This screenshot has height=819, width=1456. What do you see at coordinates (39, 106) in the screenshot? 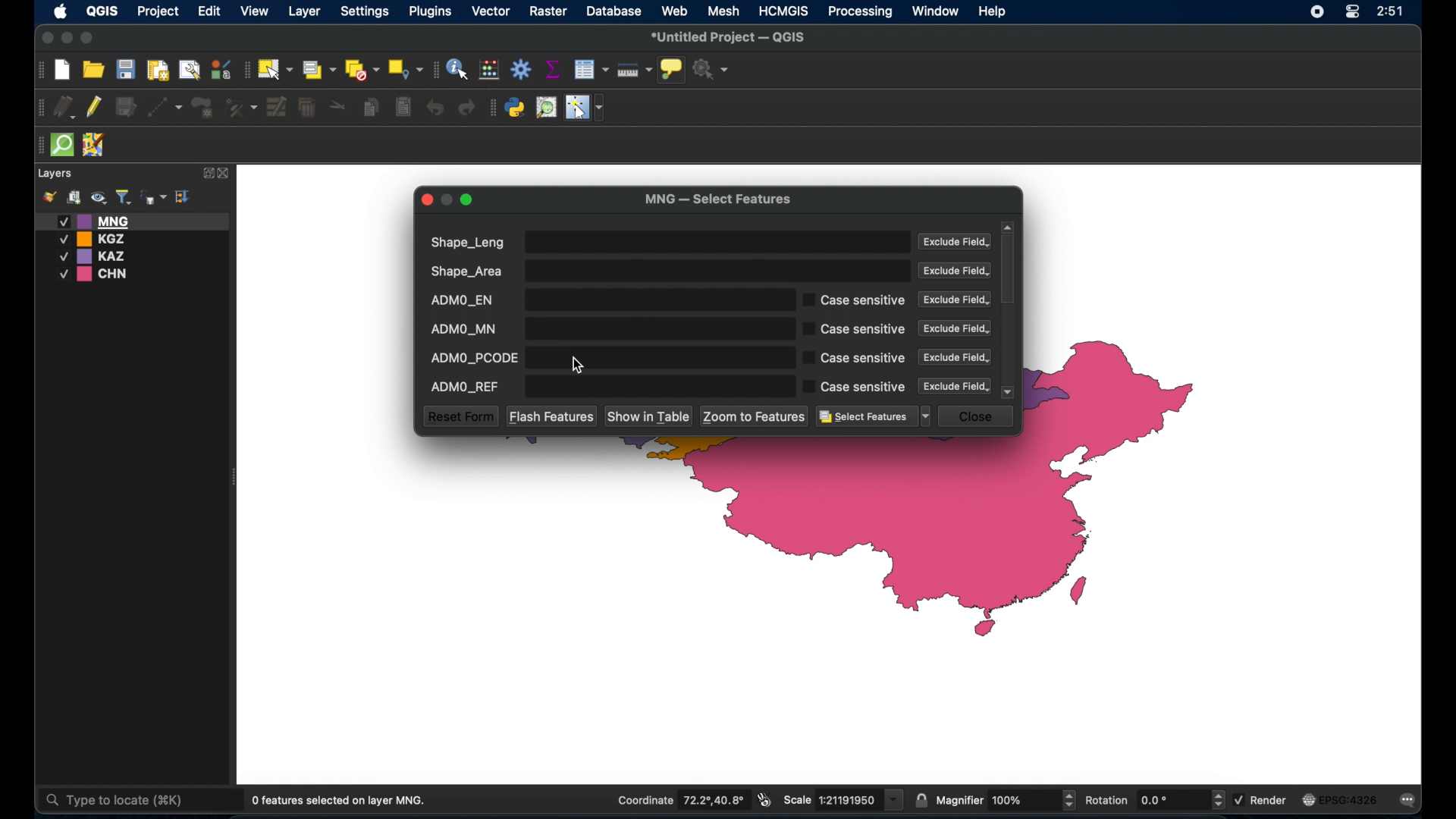
I see `drag handle` at bounding box center [39, 106].